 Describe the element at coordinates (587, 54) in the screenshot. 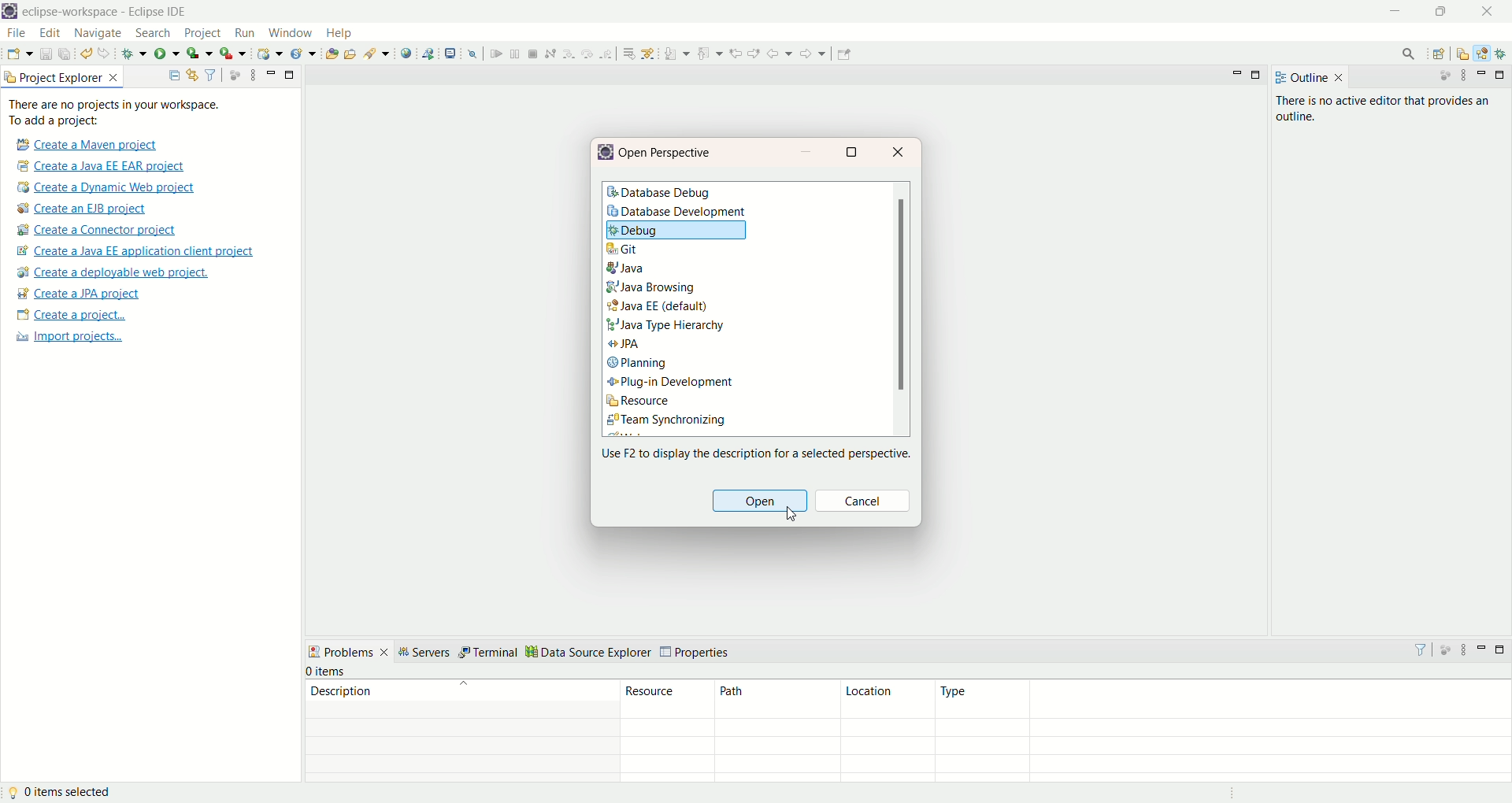

I see `step over` at that location.